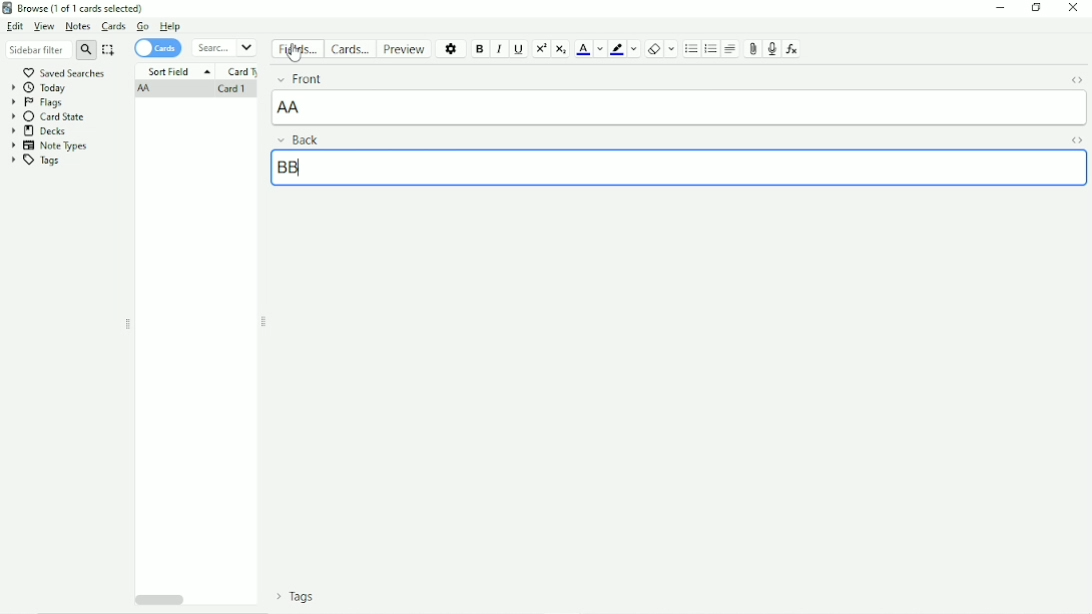  I want to click on Tags, so click(35, 161).